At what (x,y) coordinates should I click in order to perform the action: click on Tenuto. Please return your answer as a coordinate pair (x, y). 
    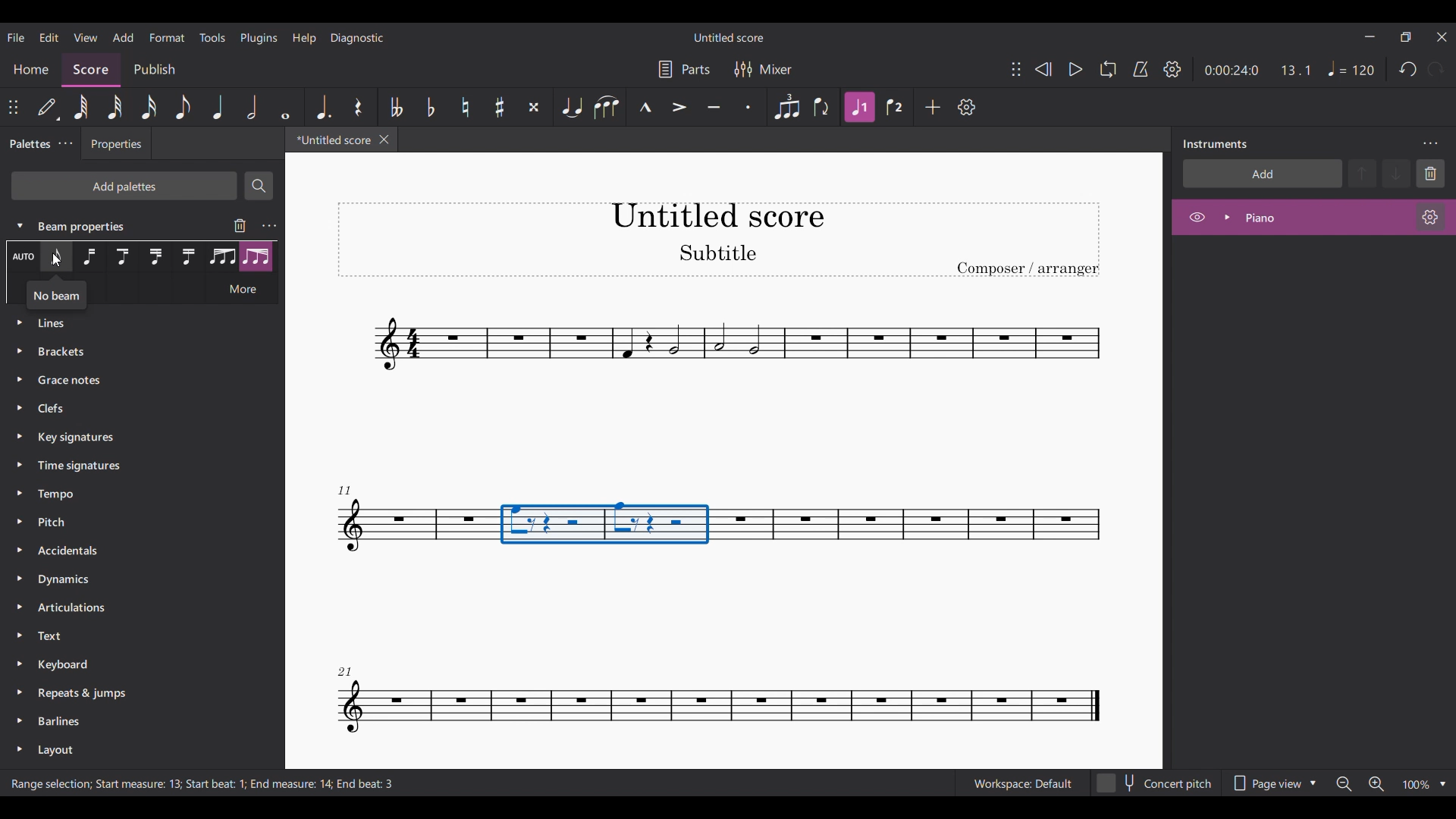
    Looking at the image, I should click on (714, 107).